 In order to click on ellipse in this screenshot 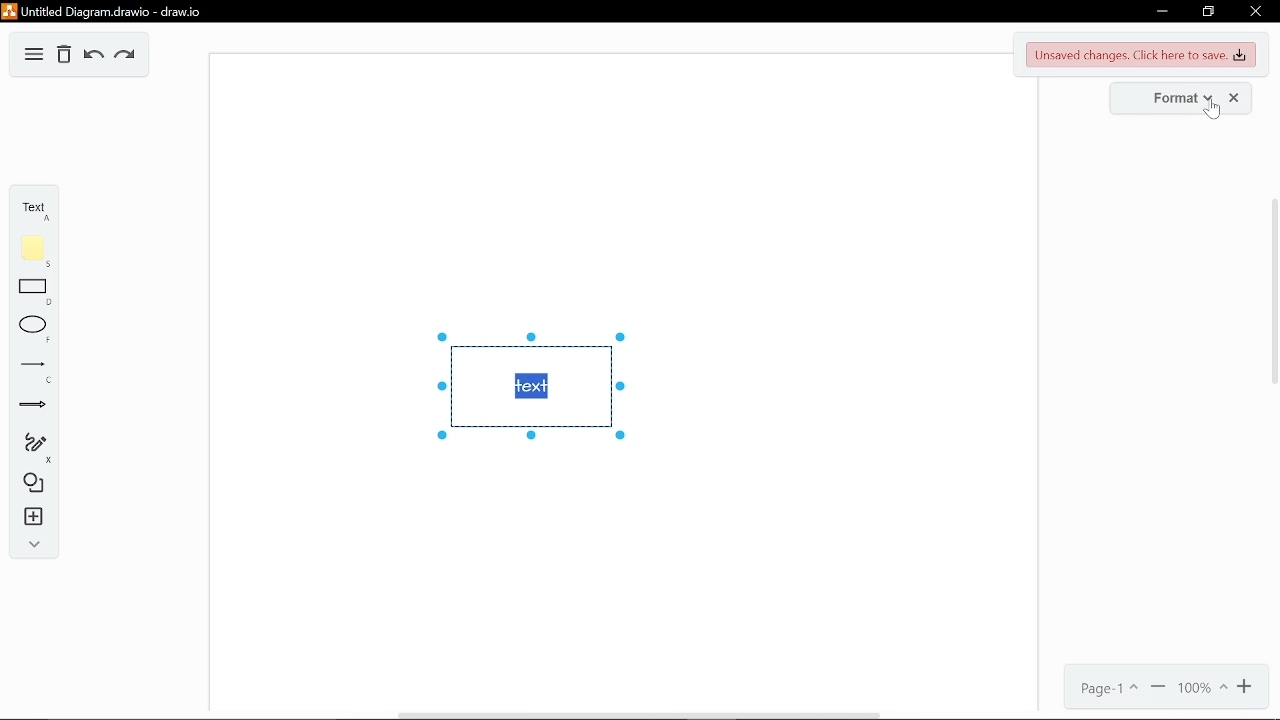, I will do `click(30, 330)`.